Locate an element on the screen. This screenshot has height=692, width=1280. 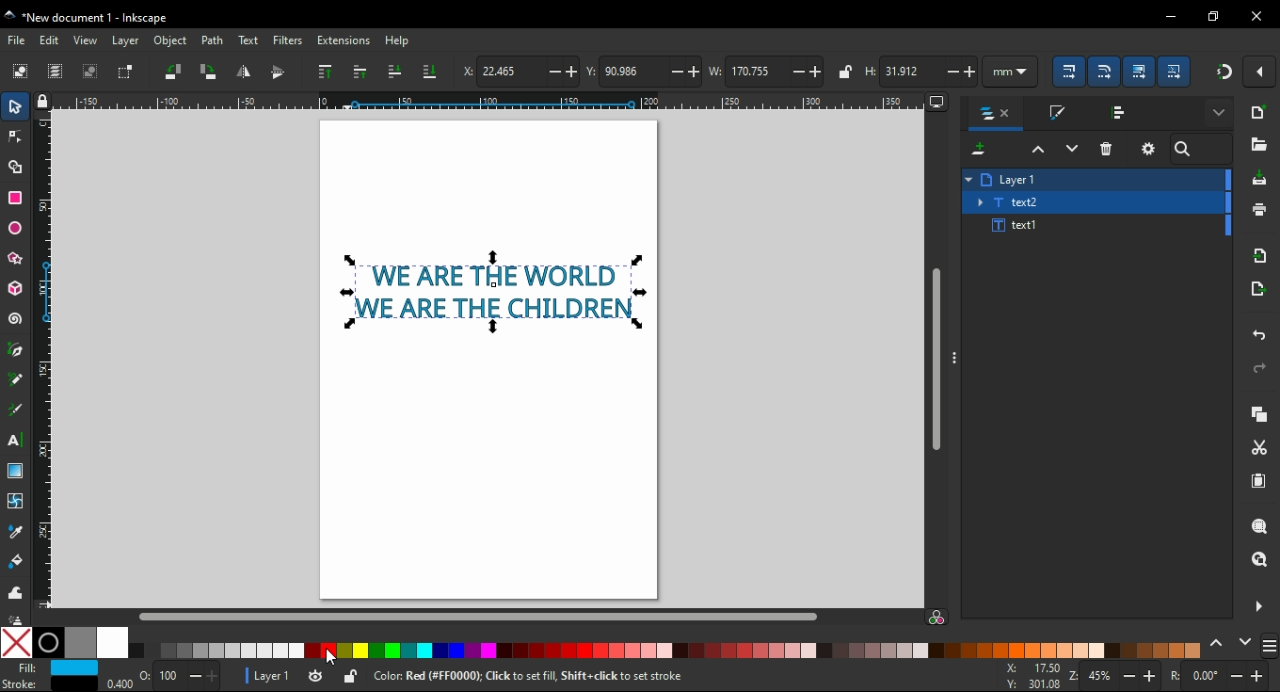
none is located at coordinates (15, 643).